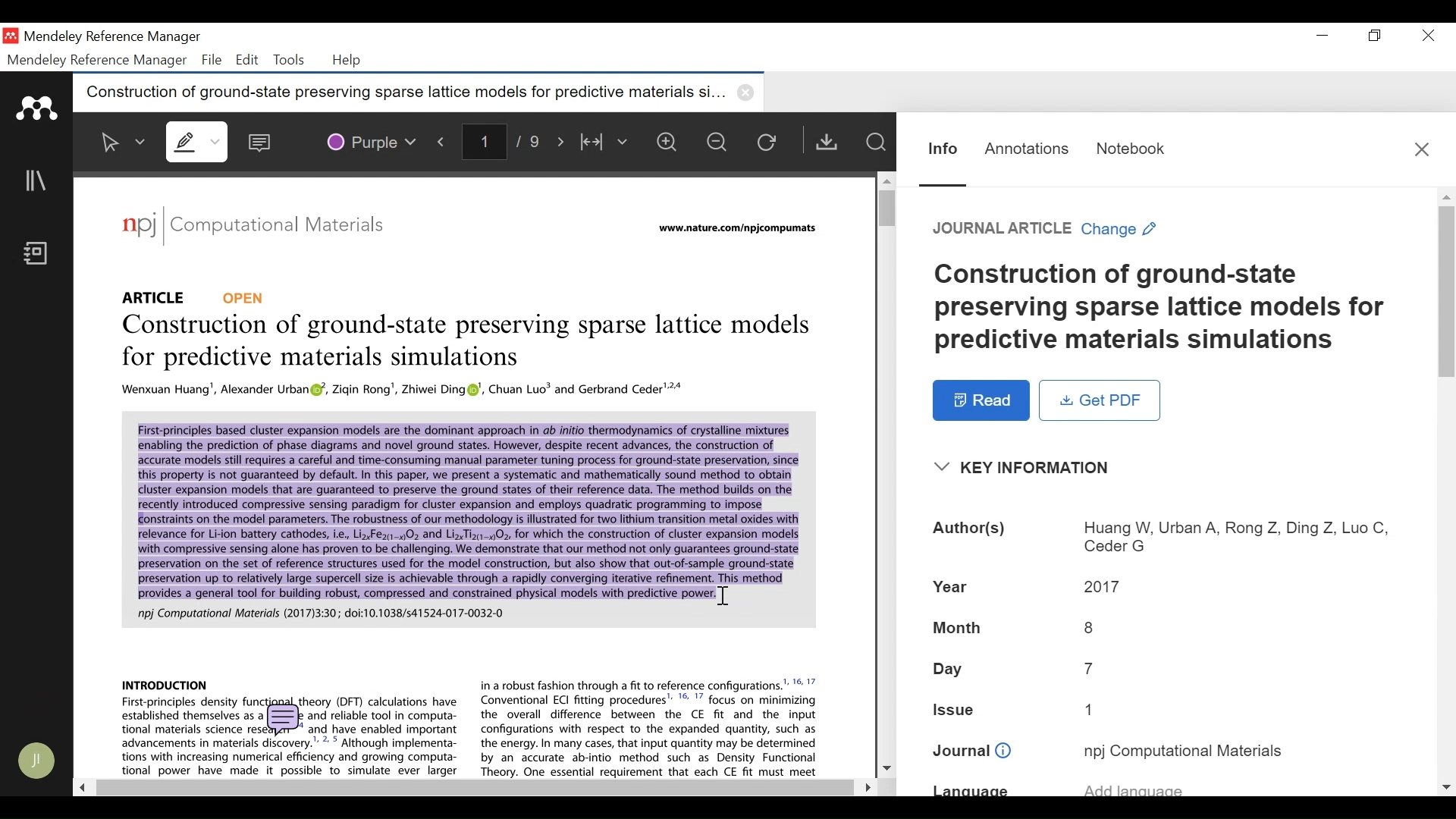 Image resolution: width=1456 pixels, height=819 pixels. Describe the element at coordinates (1090, 627) in the screenshot. I see `Month` at that location.